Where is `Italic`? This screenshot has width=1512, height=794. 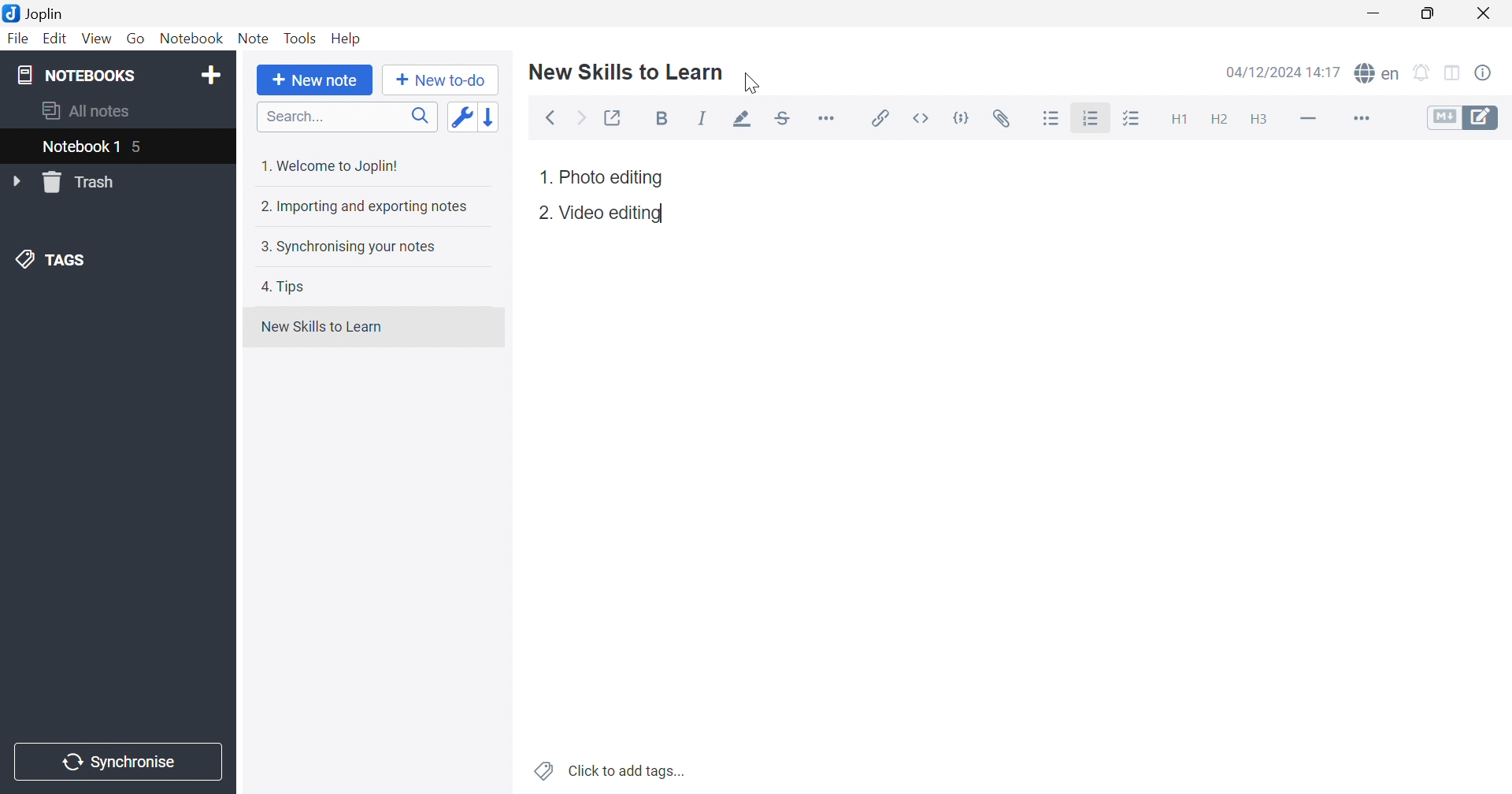 Italic is located at coordinates (702, 118).